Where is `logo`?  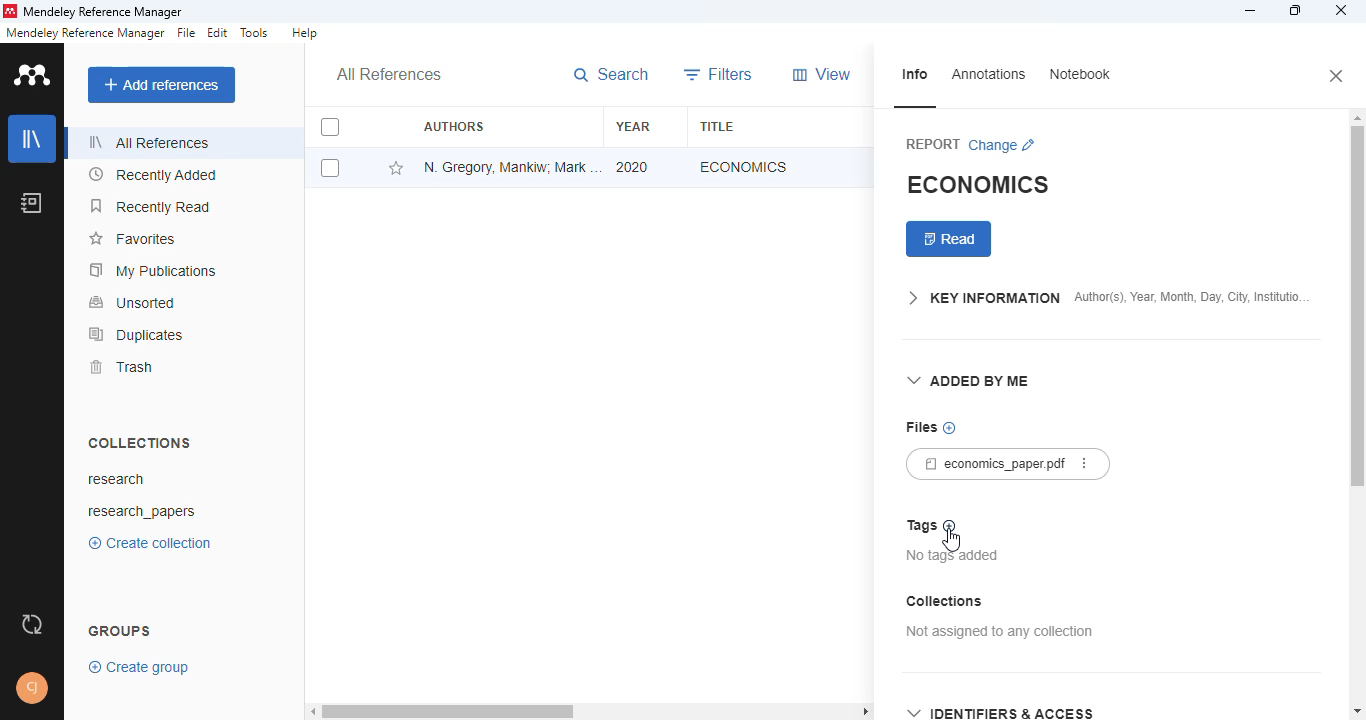 logo is located at coordinates (10, 11).